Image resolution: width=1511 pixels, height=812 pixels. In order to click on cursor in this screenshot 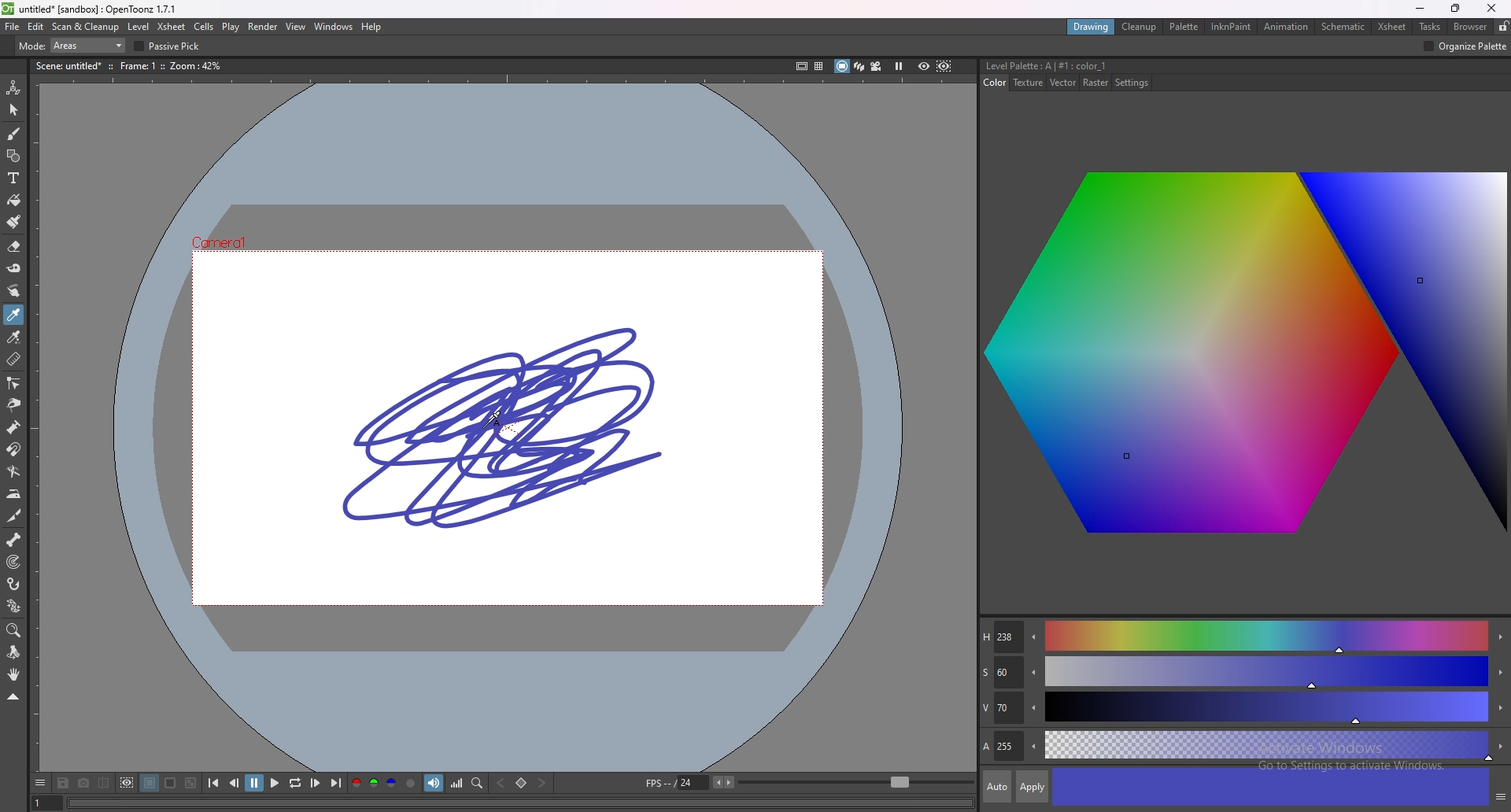, I will do `click(497, 413)`.